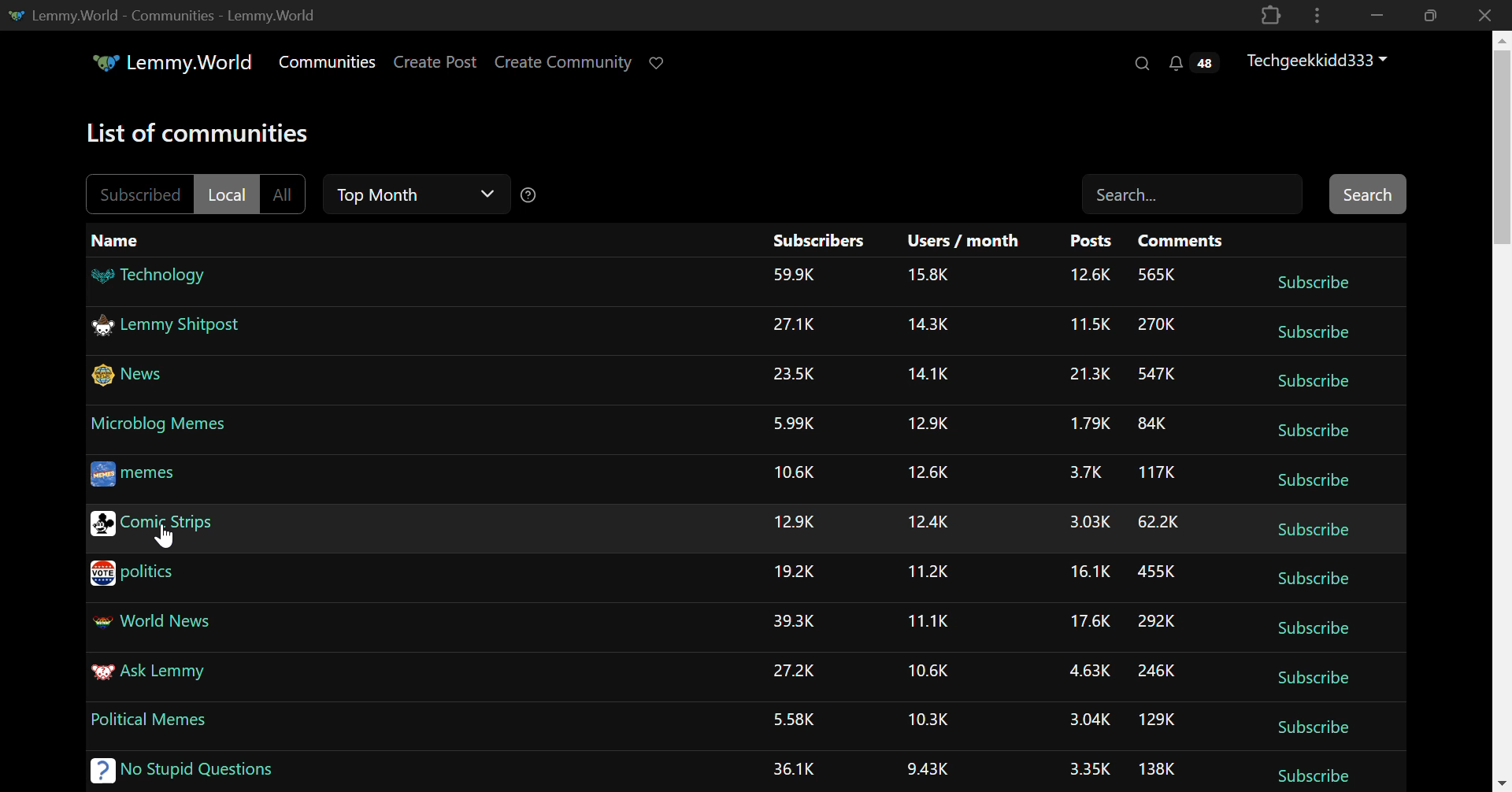 The width and height of the screenshot is (1512, 792). I want to click on 138K, so click(1158, 768).